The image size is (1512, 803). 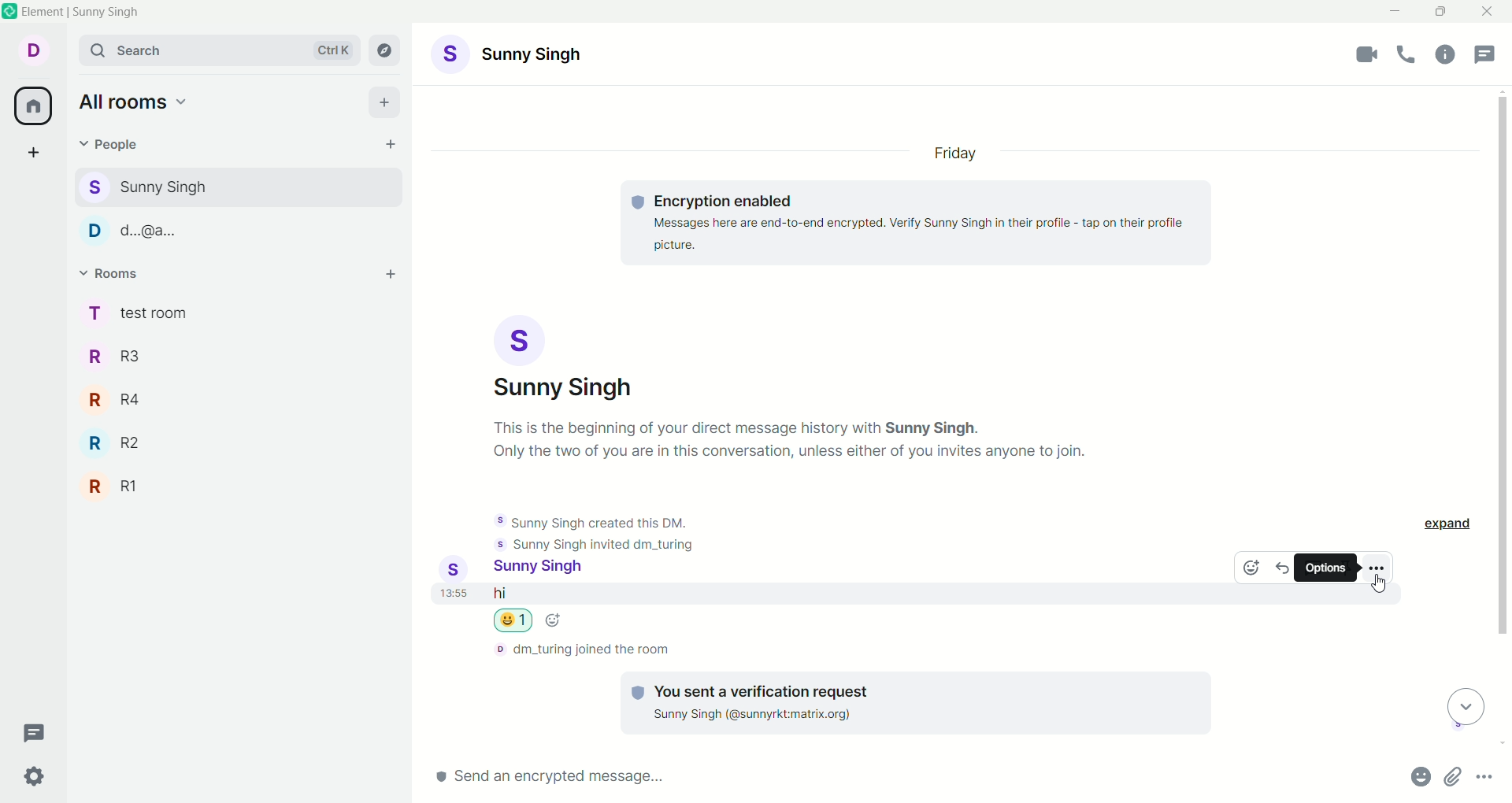 What do you see at coordinates (510, 56) in the screenshot?
I see `account` at bounding box center [510, 56].